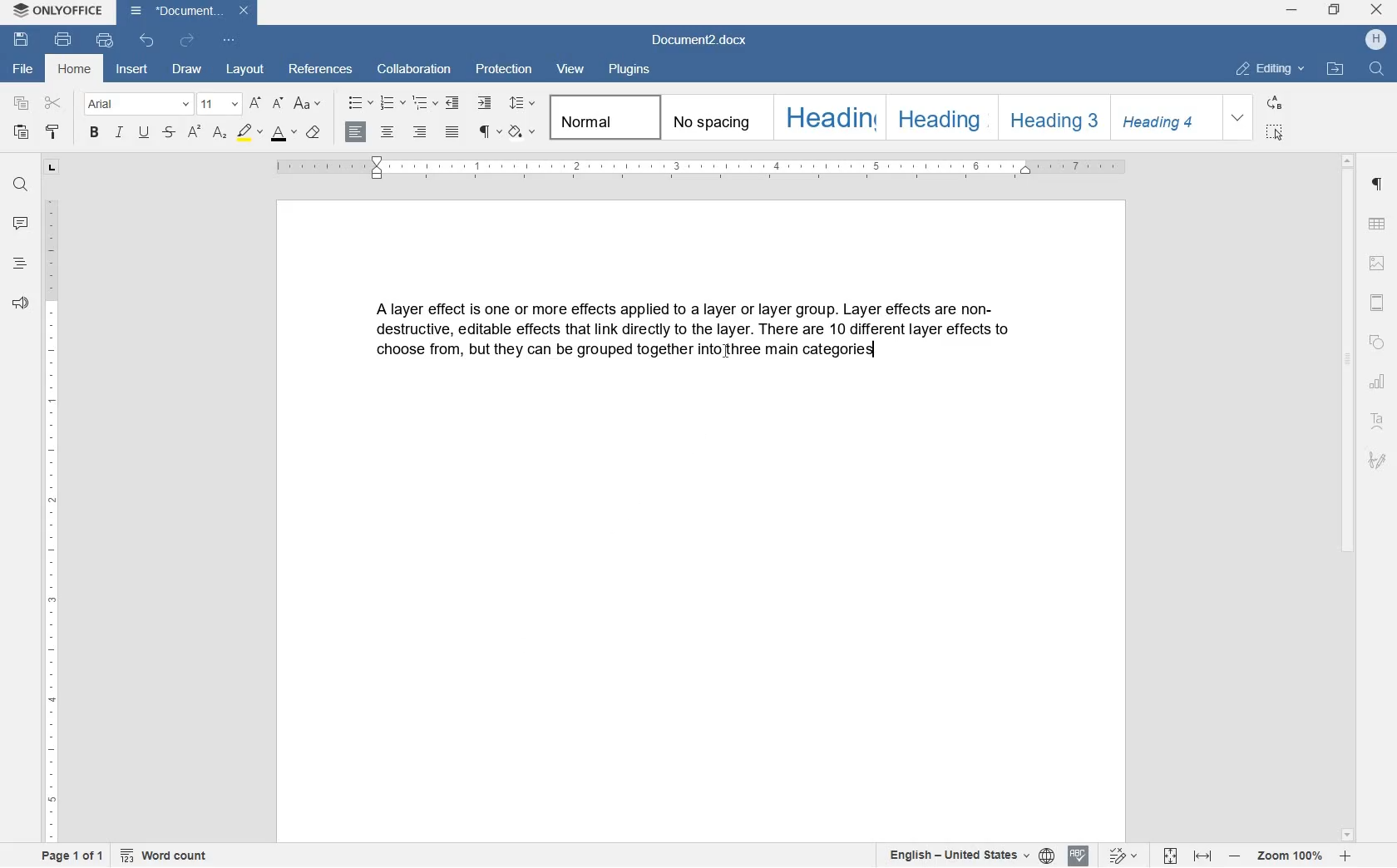 The height and width of the screenshot is (868, 1397). What do you see at coordinates (171, 131) in the screenshot?
I see `strike through` at bounding box center [171, 131].